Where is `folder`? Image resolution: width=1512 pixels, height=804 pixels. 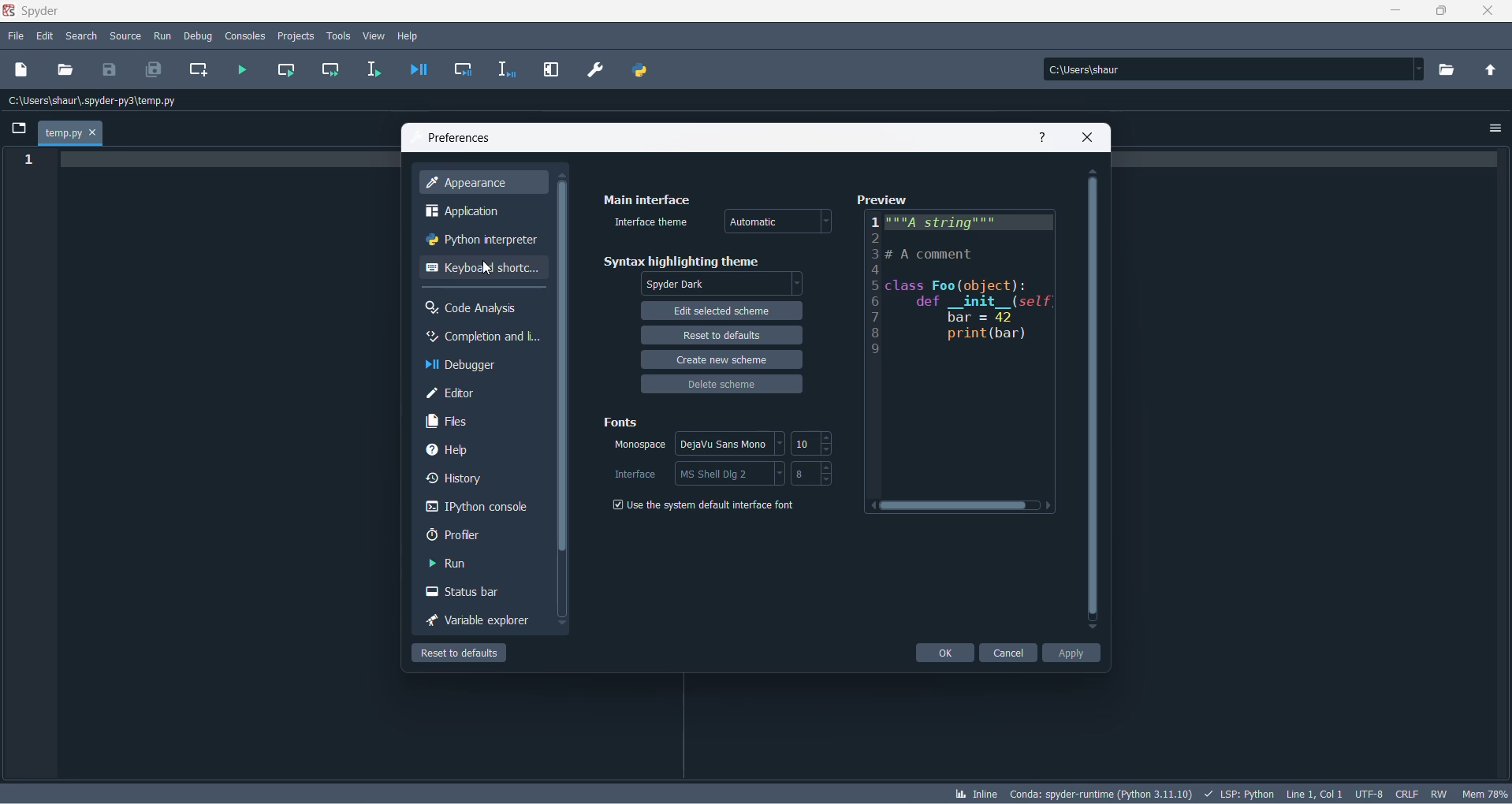
folder is located at coordinates (17, 130).